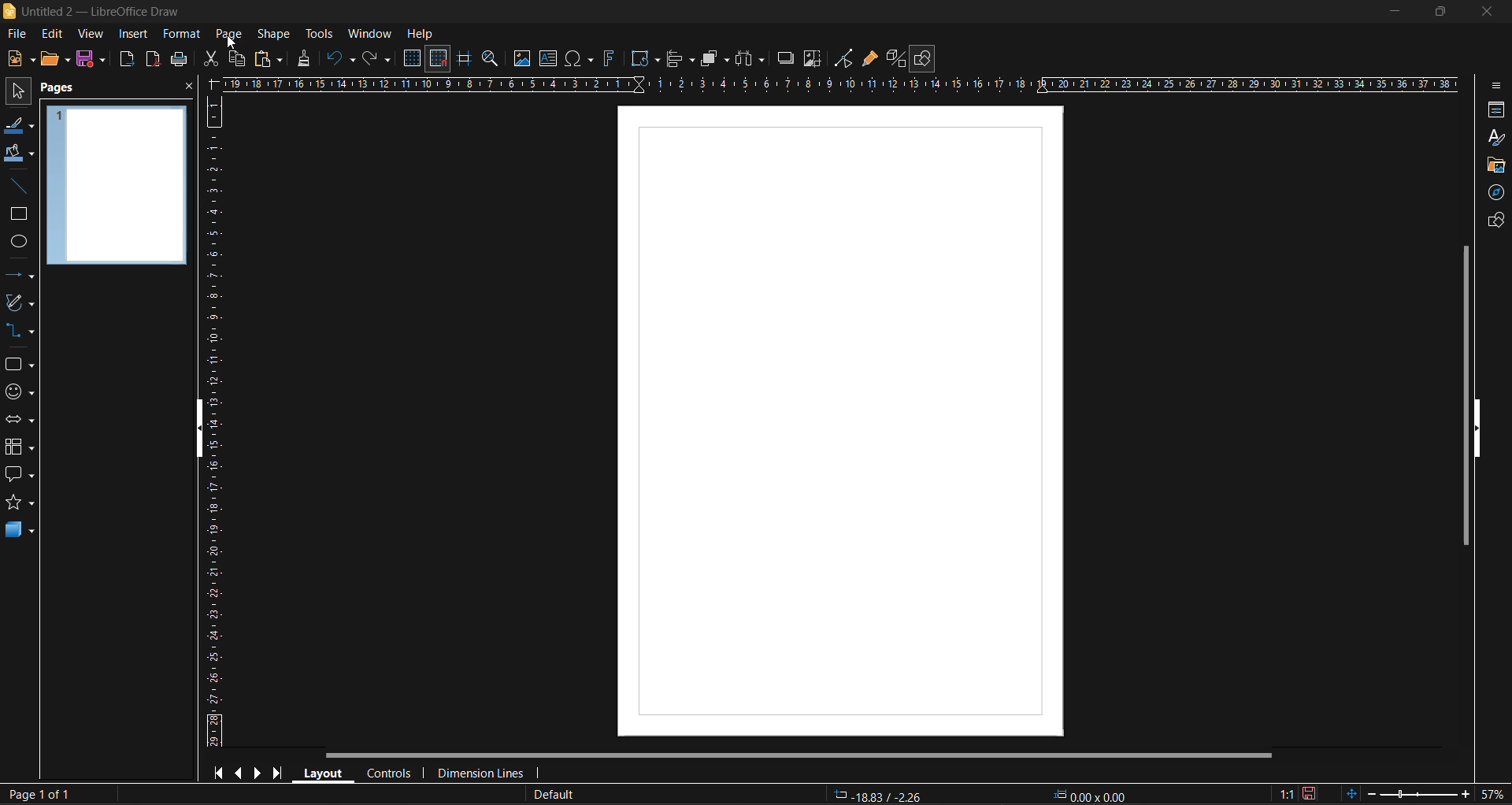 The width and height of the screenshot is (1512, 805). What do you see at coordinates (17, 61) in the screenshot?
I see `new` at bounding box center [17, 61].